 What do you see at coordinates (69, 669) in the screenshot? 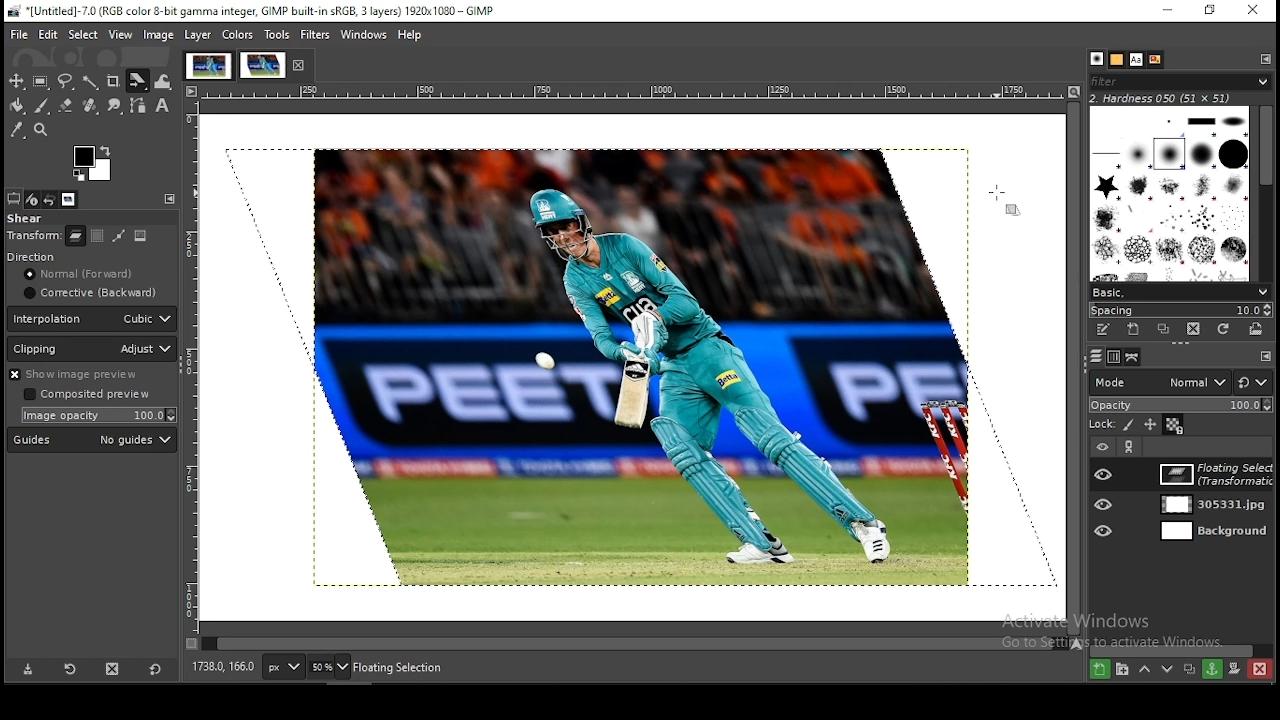
I see `restore tool preset` at bounding box center [69, 669].